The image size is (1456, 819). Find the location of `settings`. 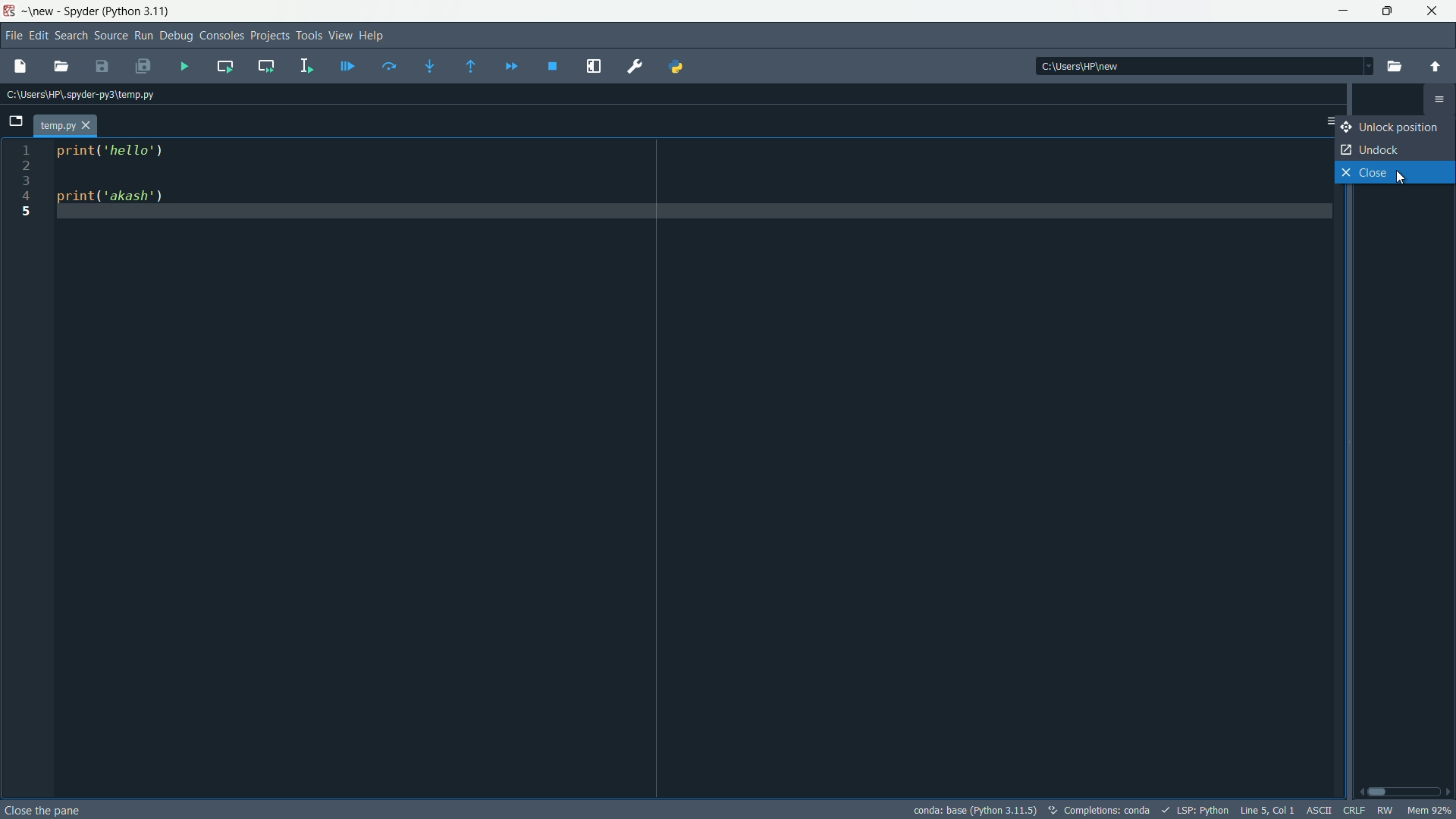

settings is located at coordinates (1439, 100).